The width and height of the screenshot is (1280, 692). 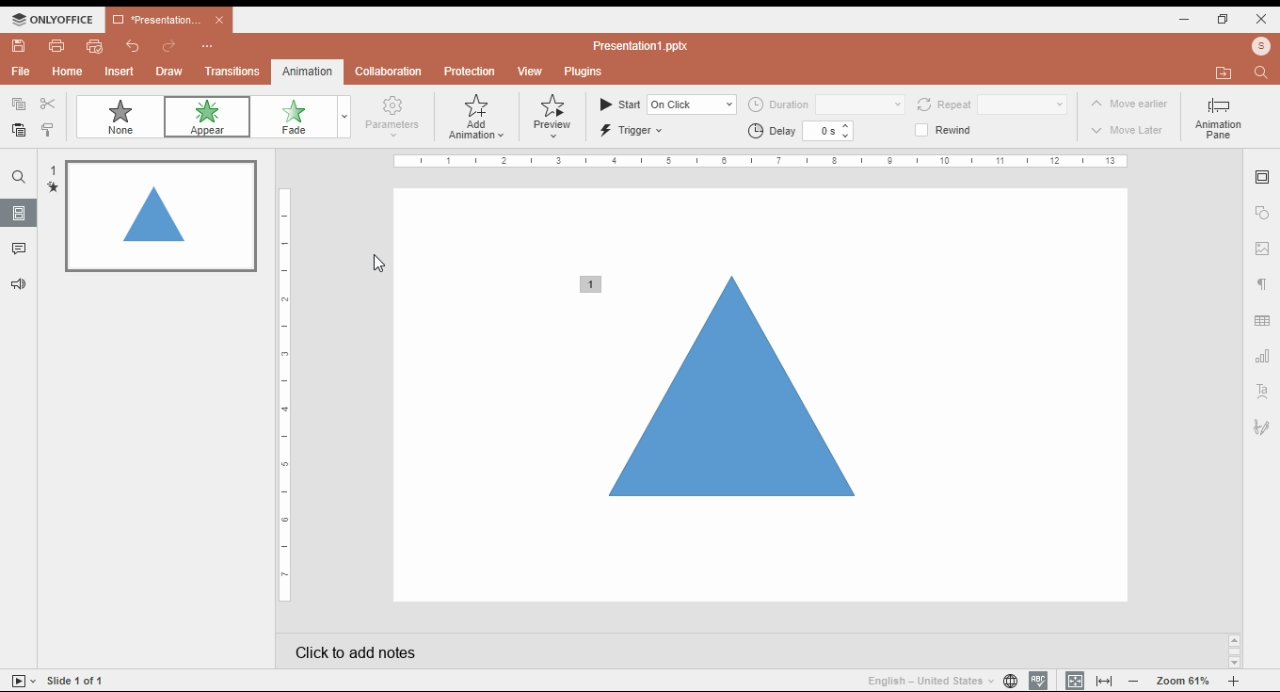 What do you see at coordinates (170, 46) in the screenshot?
I see `redo` at bounding box center [170, 46].